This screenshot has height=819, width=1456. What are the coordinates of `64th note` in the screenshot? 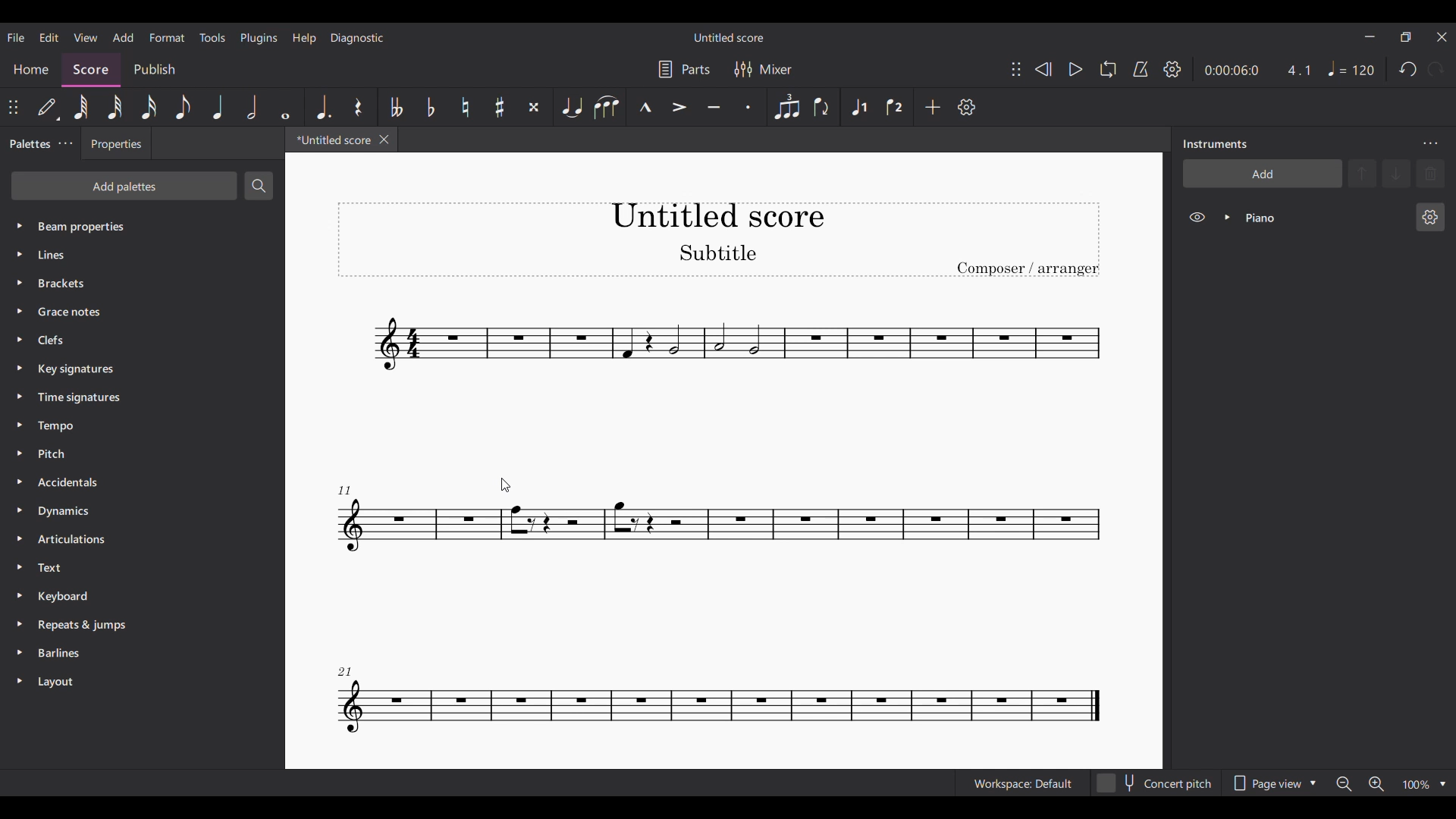 It's located at (81, 107).